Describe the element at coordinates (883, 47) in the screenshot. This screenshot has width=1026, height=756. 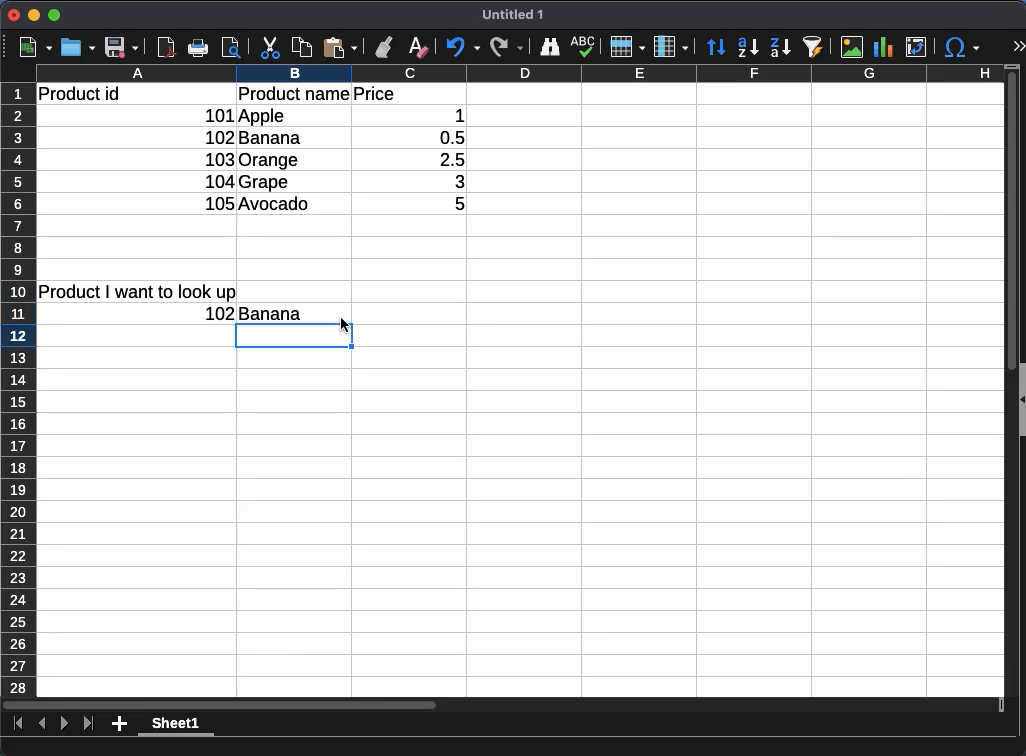
I see `chart` at that location.